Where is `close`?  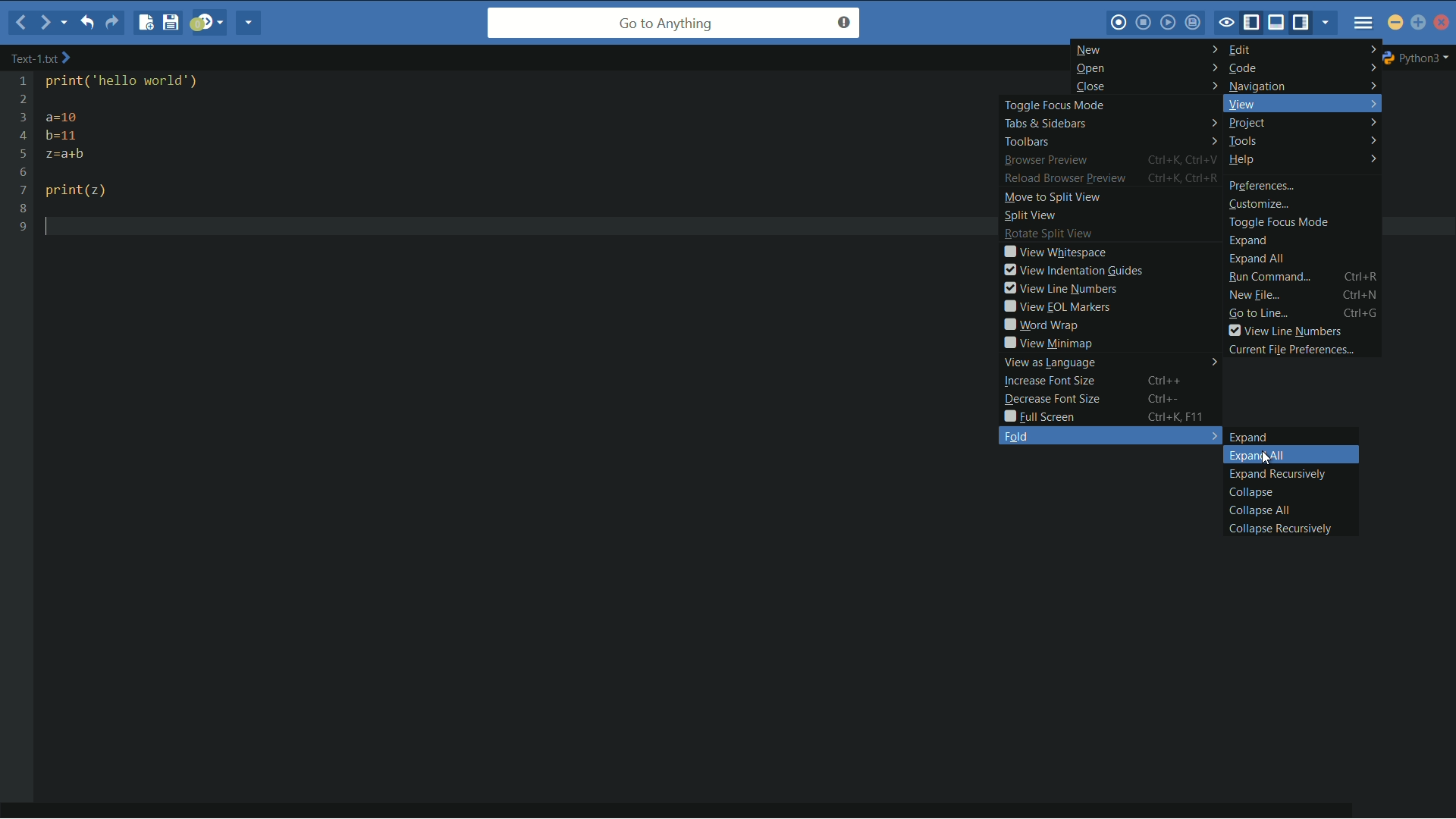
close is located at coordinates (1144, 86).